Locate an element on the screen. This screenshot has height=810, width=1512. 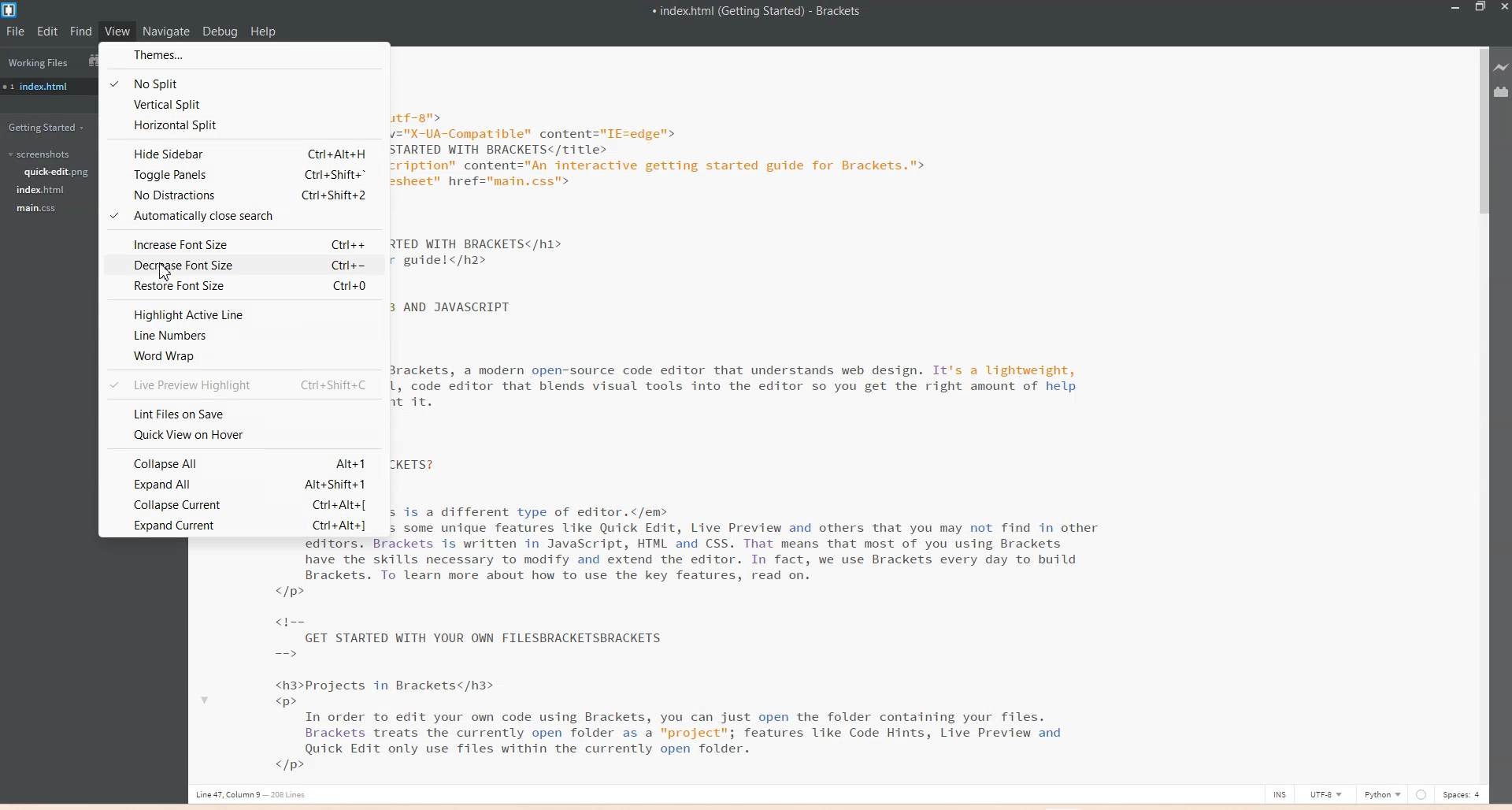
main.css is located at coordinates (37, 208).